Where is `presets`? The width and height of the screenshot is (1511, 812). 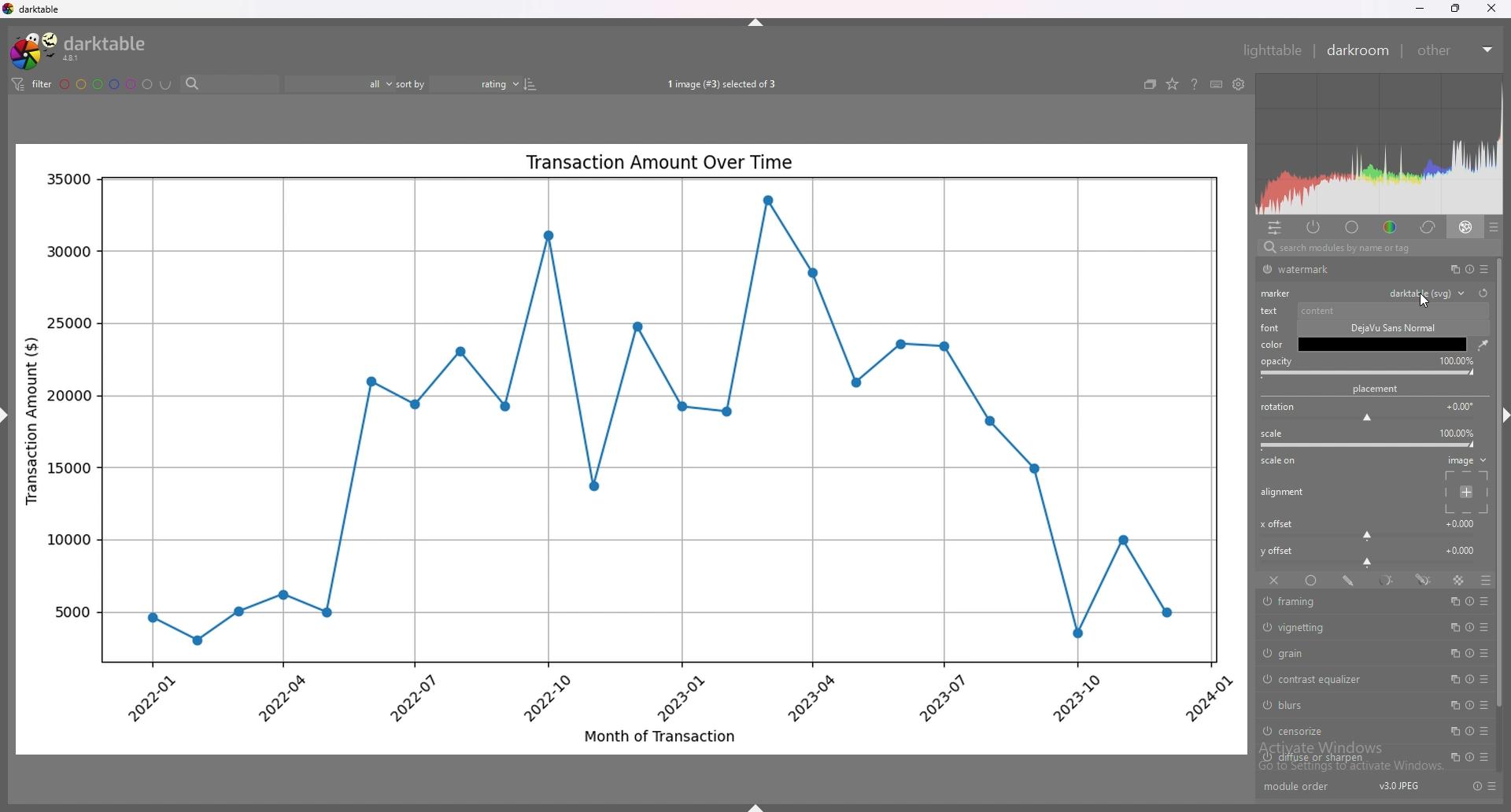 presets is located at coordinates (1485, 733).